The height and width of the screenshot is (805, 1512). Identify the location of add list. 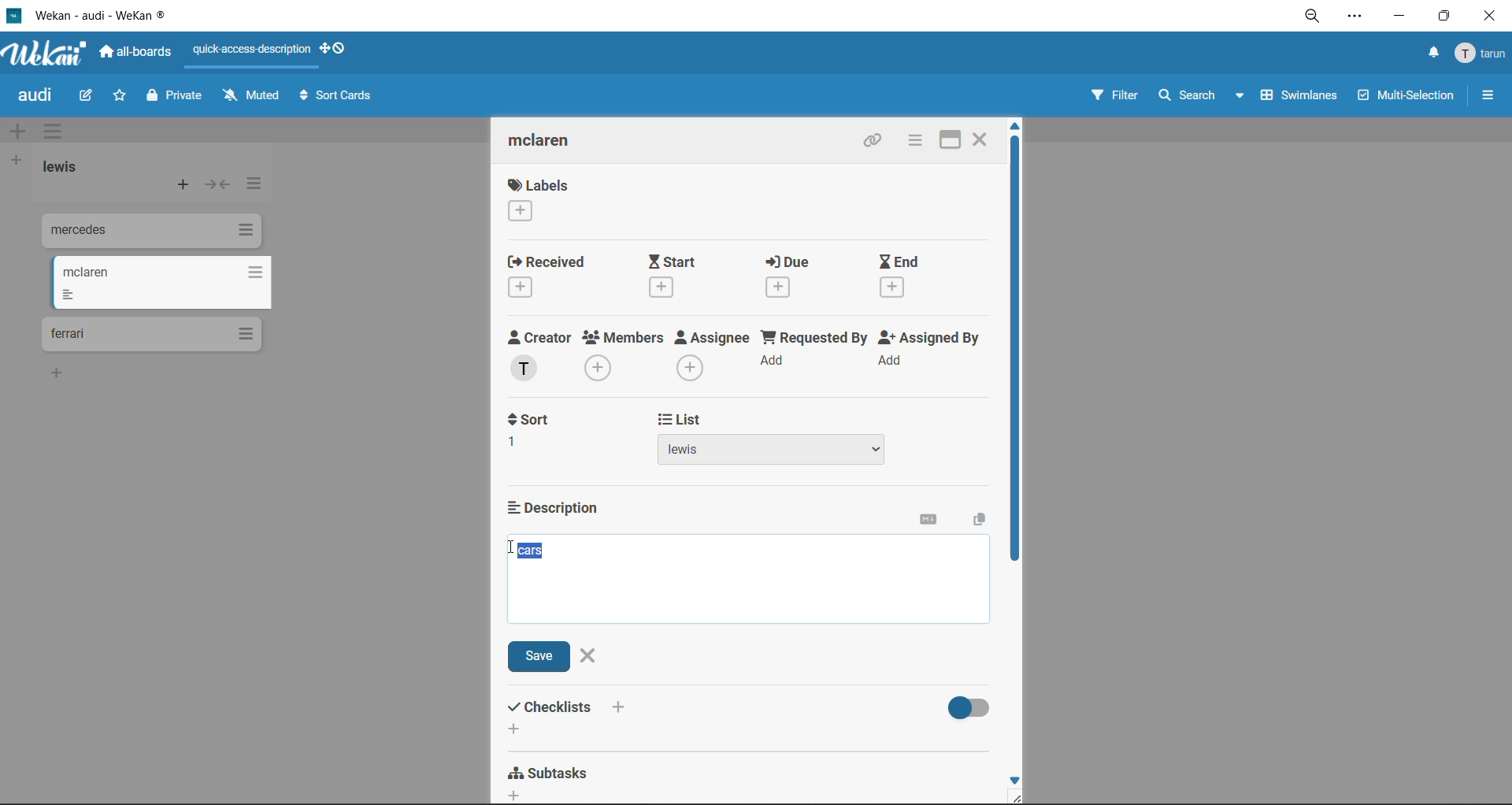
(15, 161).